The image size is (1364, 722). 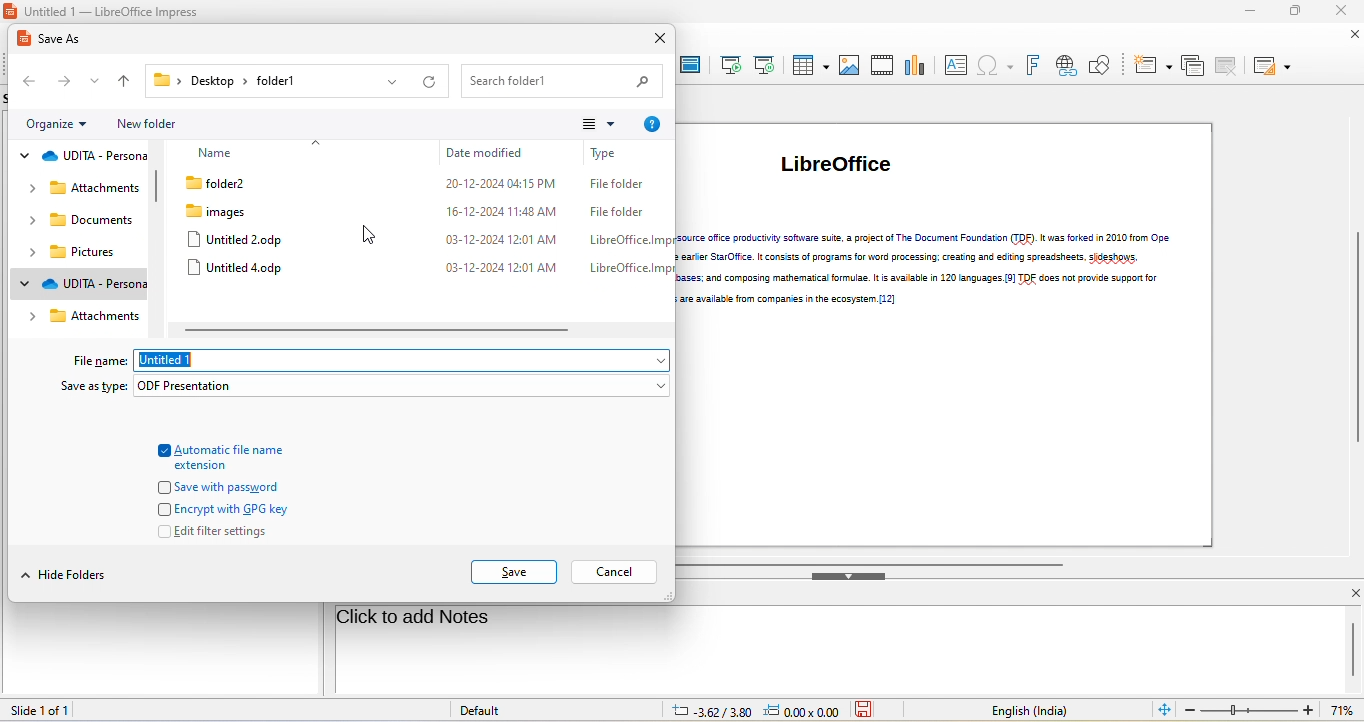 I want to click on LibreOffice.lmp, so click(x=623, y=268).